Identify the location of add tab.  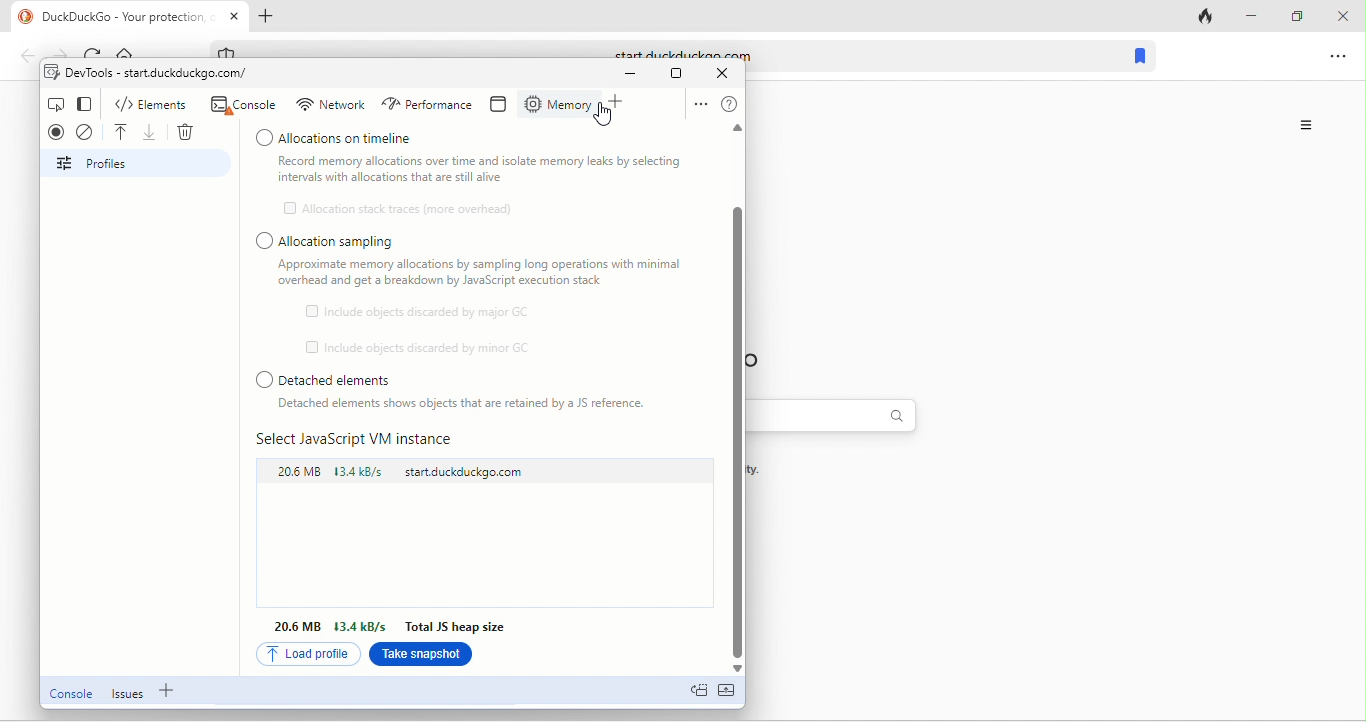
(276, 16).